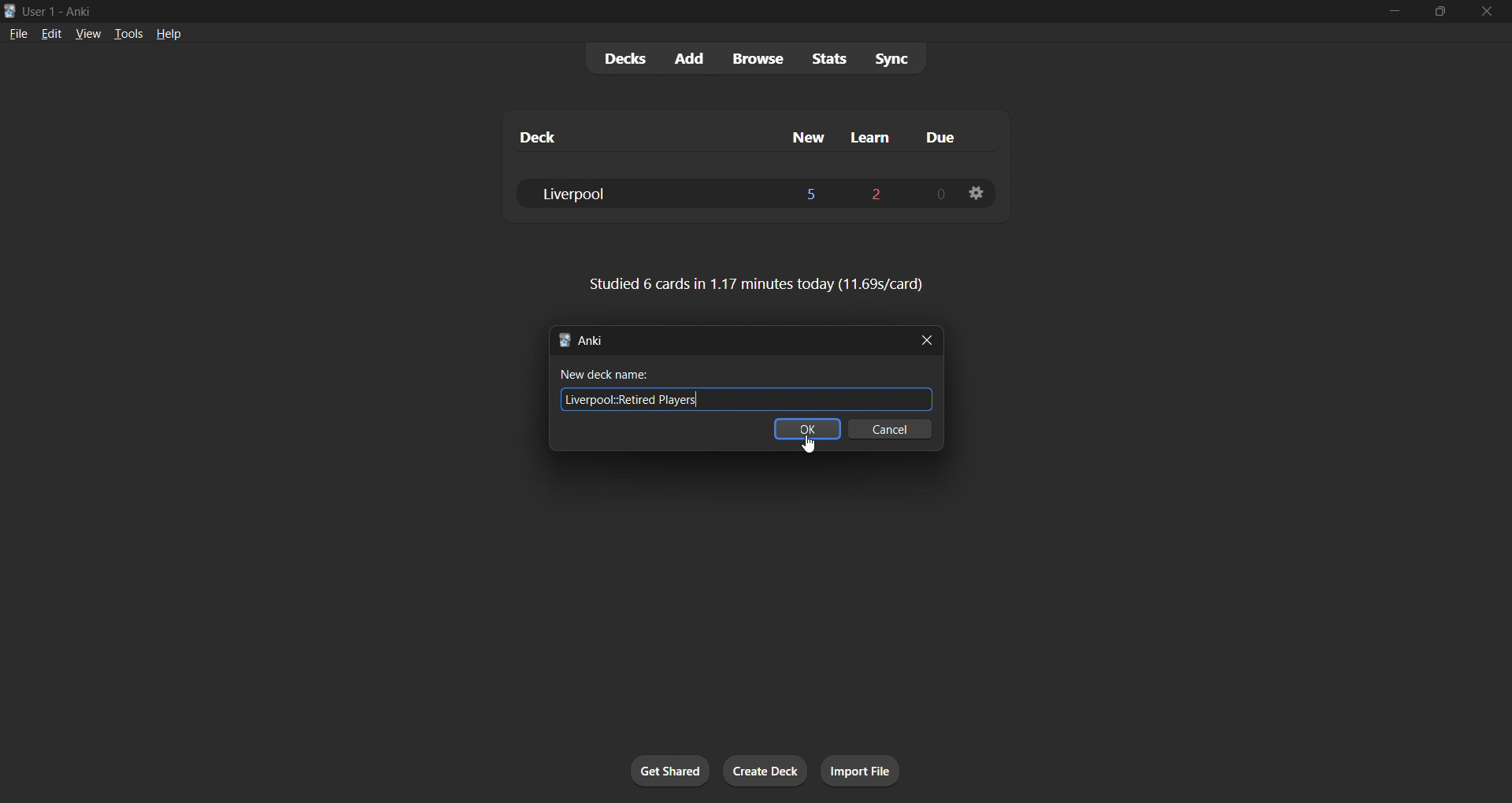 The width and height of the screenshot is (1512, 803). Describe the element at coordinates (726, 341) in the screenshot. I see `new tab title` at that location.